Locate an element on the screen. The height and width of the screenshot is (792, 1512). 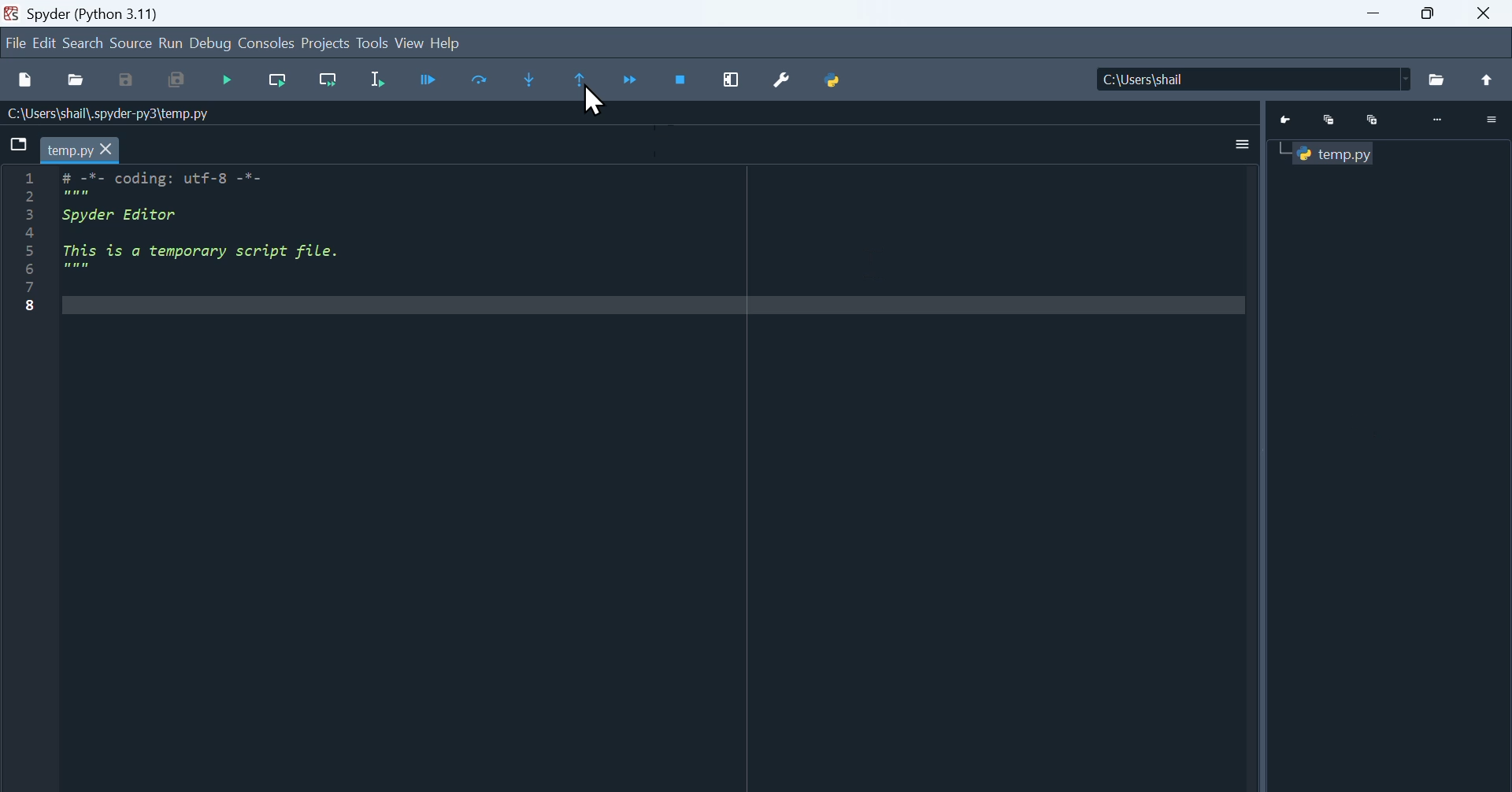
Line Number is located at coordinates (31, 242).